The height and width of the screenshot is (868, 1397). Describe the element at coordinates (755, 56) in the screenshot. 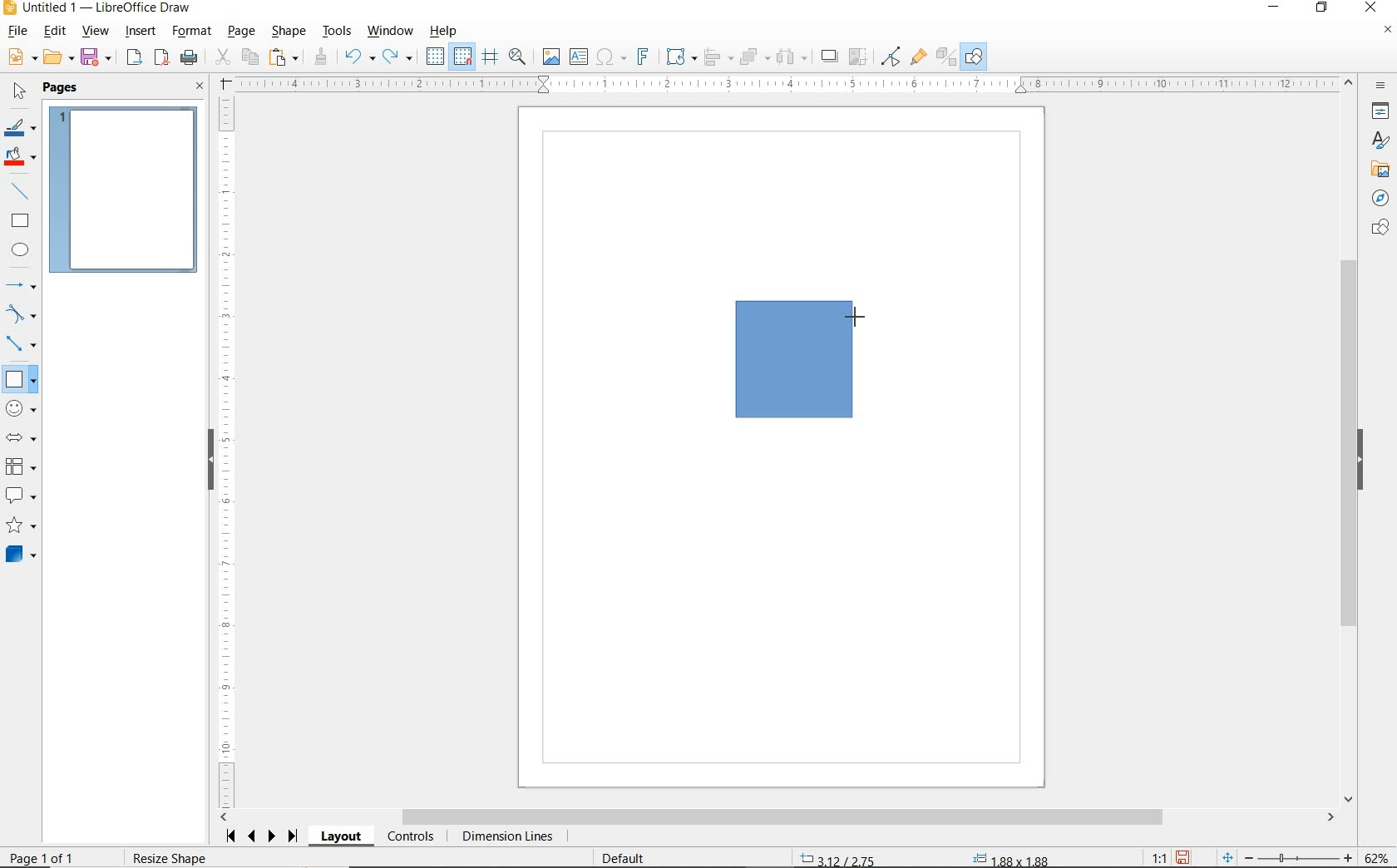

I see `ARRANGE` at that location.